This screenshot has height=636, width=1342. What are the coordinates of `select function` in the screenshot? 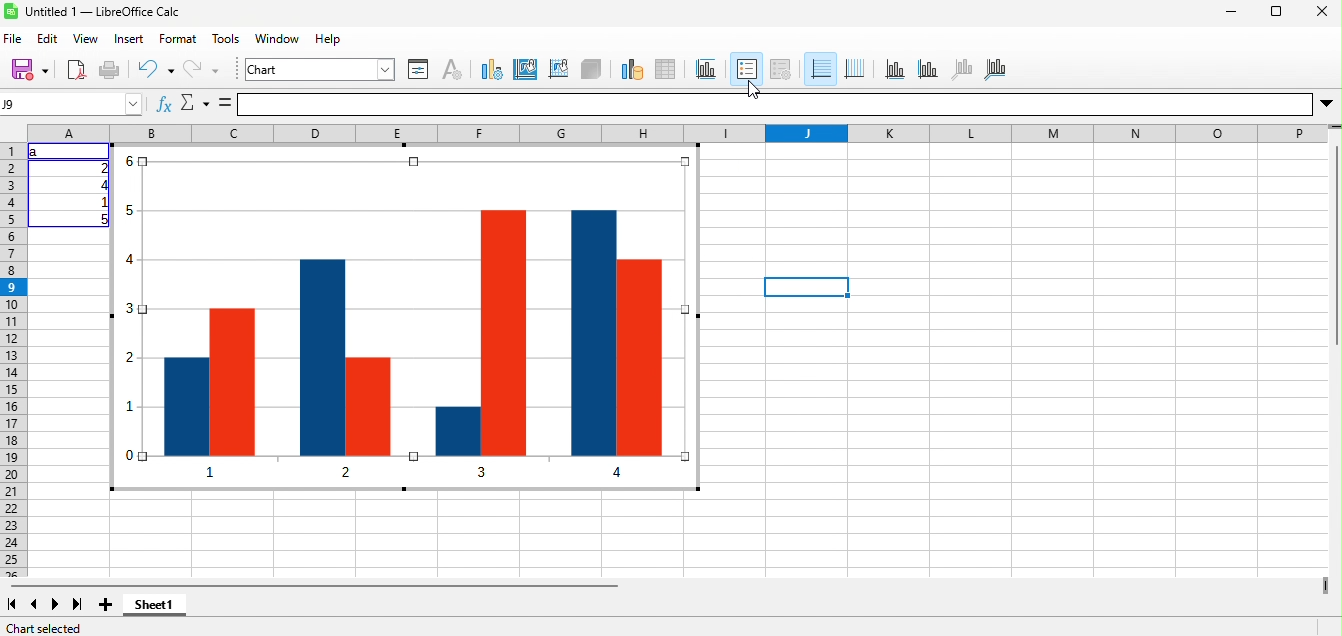 It's located at (196, 103).